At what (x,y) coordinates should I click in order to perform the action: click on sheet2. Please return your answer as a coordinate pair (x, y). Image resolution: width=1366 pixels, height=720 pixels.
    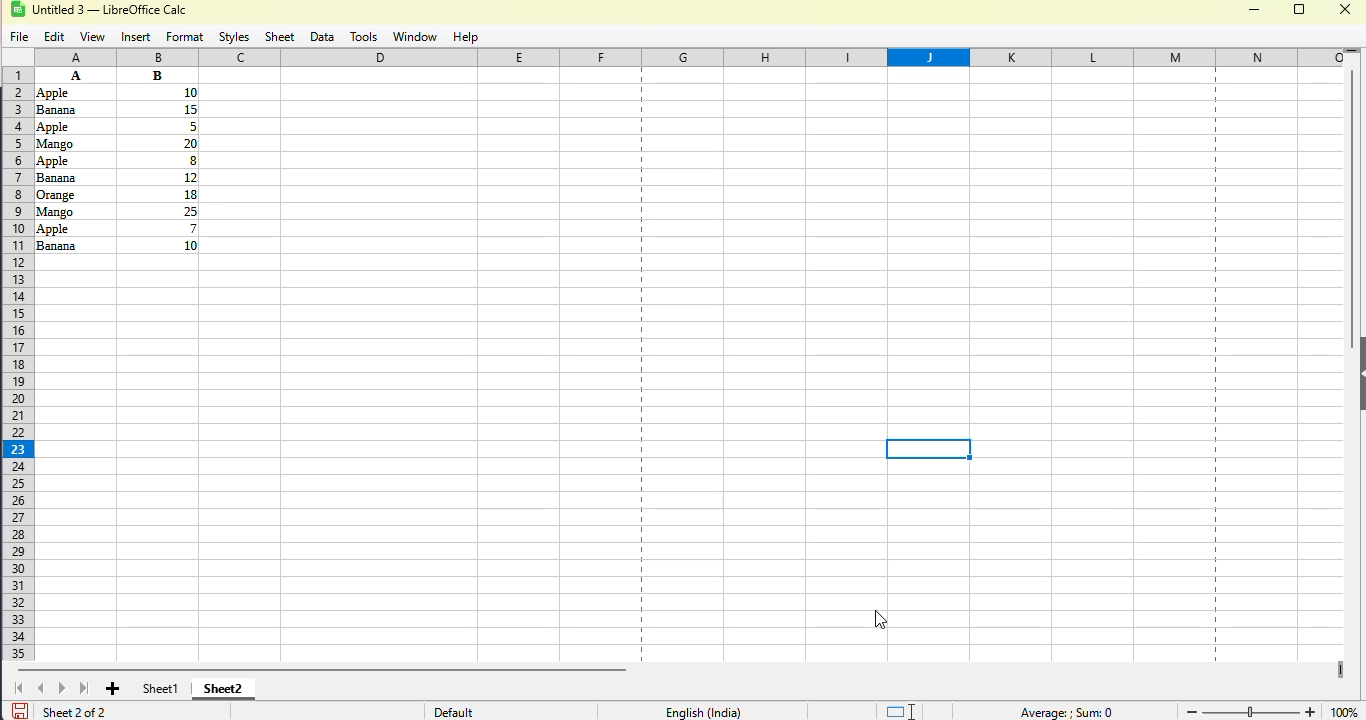
    Looking at the image, I should click on (224, 687).